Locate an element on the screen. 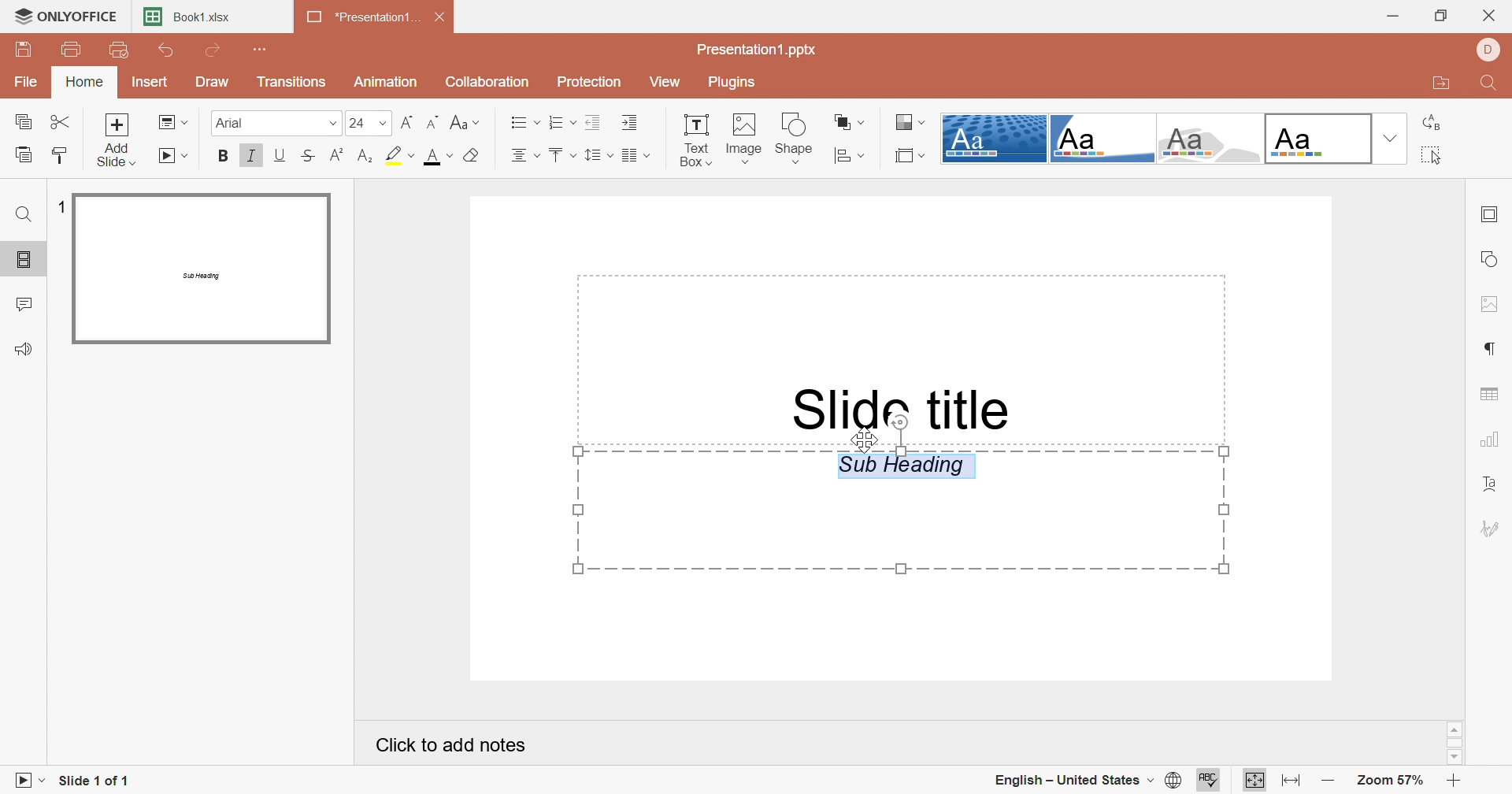  Highlight color is located at coordinates (399, 155).